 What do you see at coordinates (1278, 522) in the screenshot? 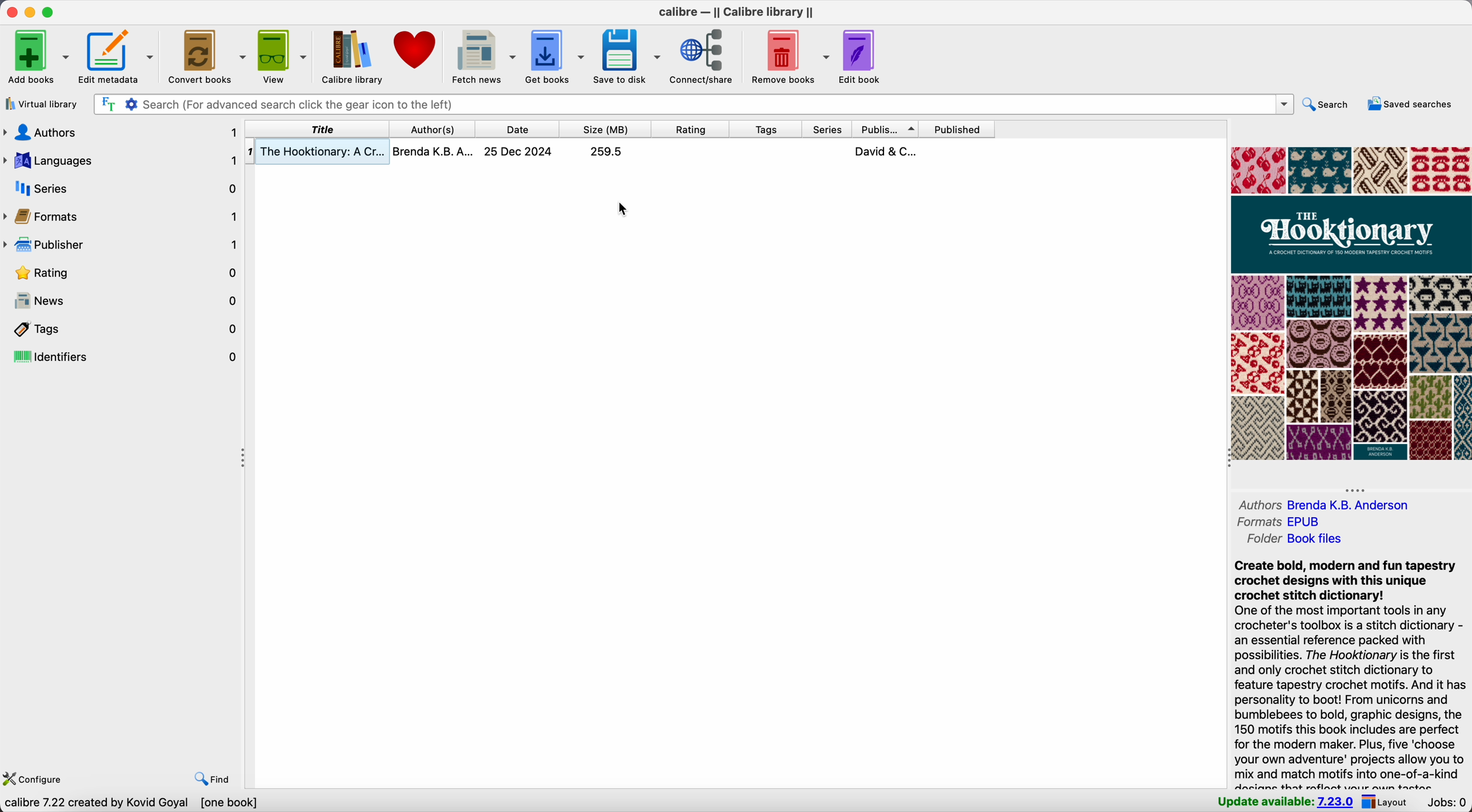
I see `formats EPUB` at bounding box center [1278, 522].